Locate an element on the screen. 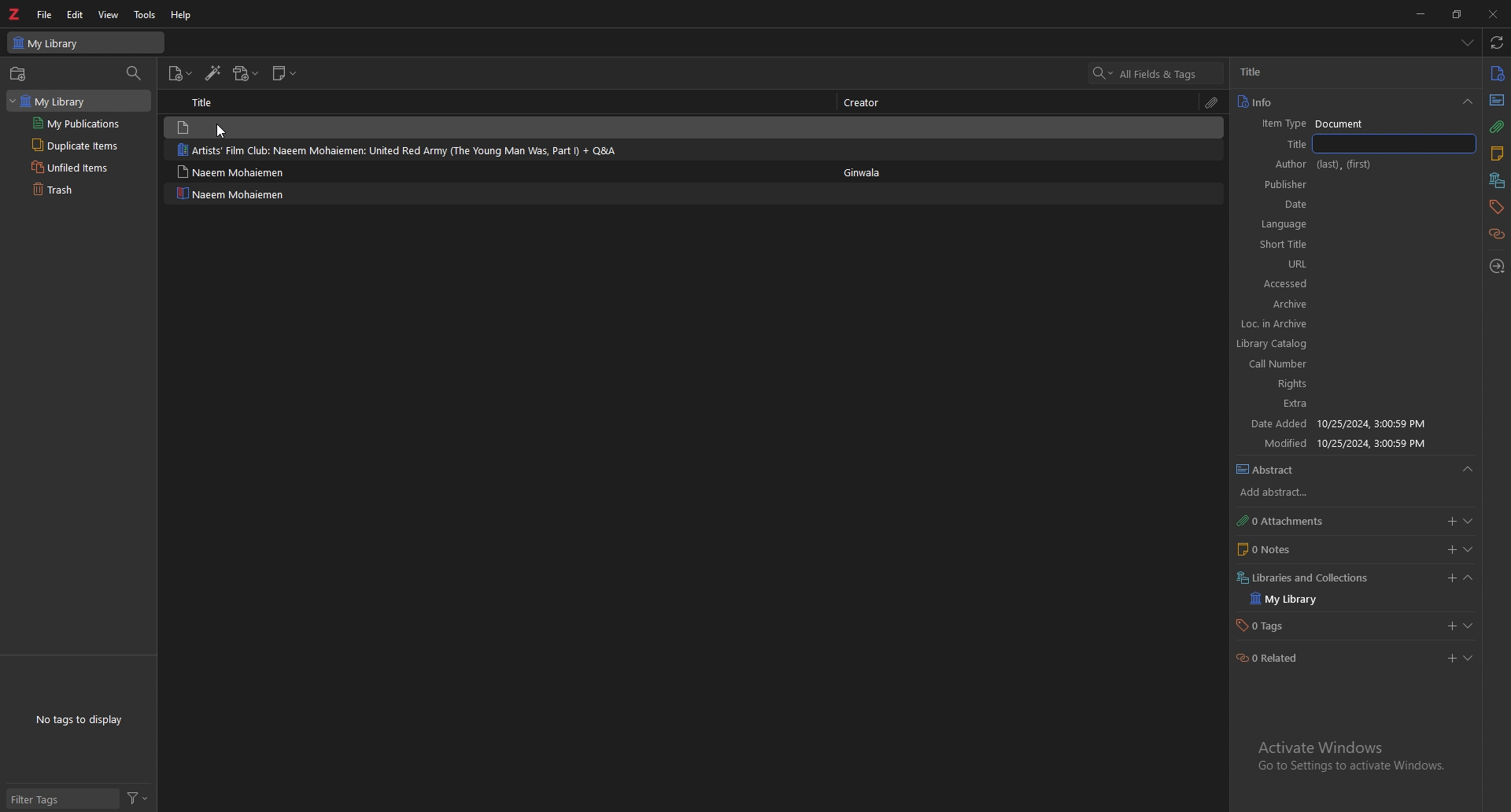 This screenshot has width=1511, height=812. close is located at coordinates (1494, 14).